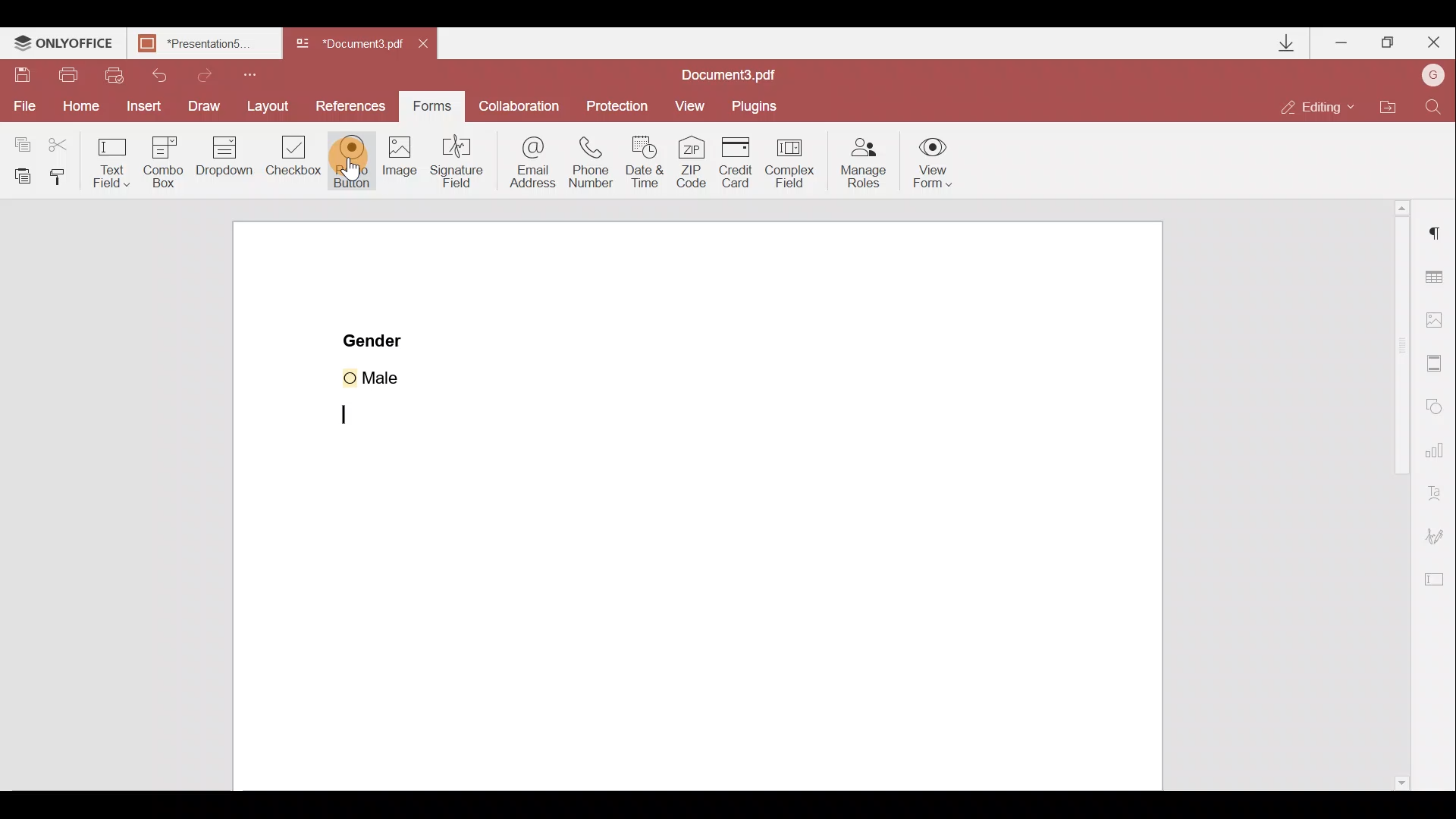 The height and width of the screenshot is (819, 1456). What do you see at coordinates (1438, 408) in the screenshot?
I see `Shapes settings` at bounding box center [1438, 408].